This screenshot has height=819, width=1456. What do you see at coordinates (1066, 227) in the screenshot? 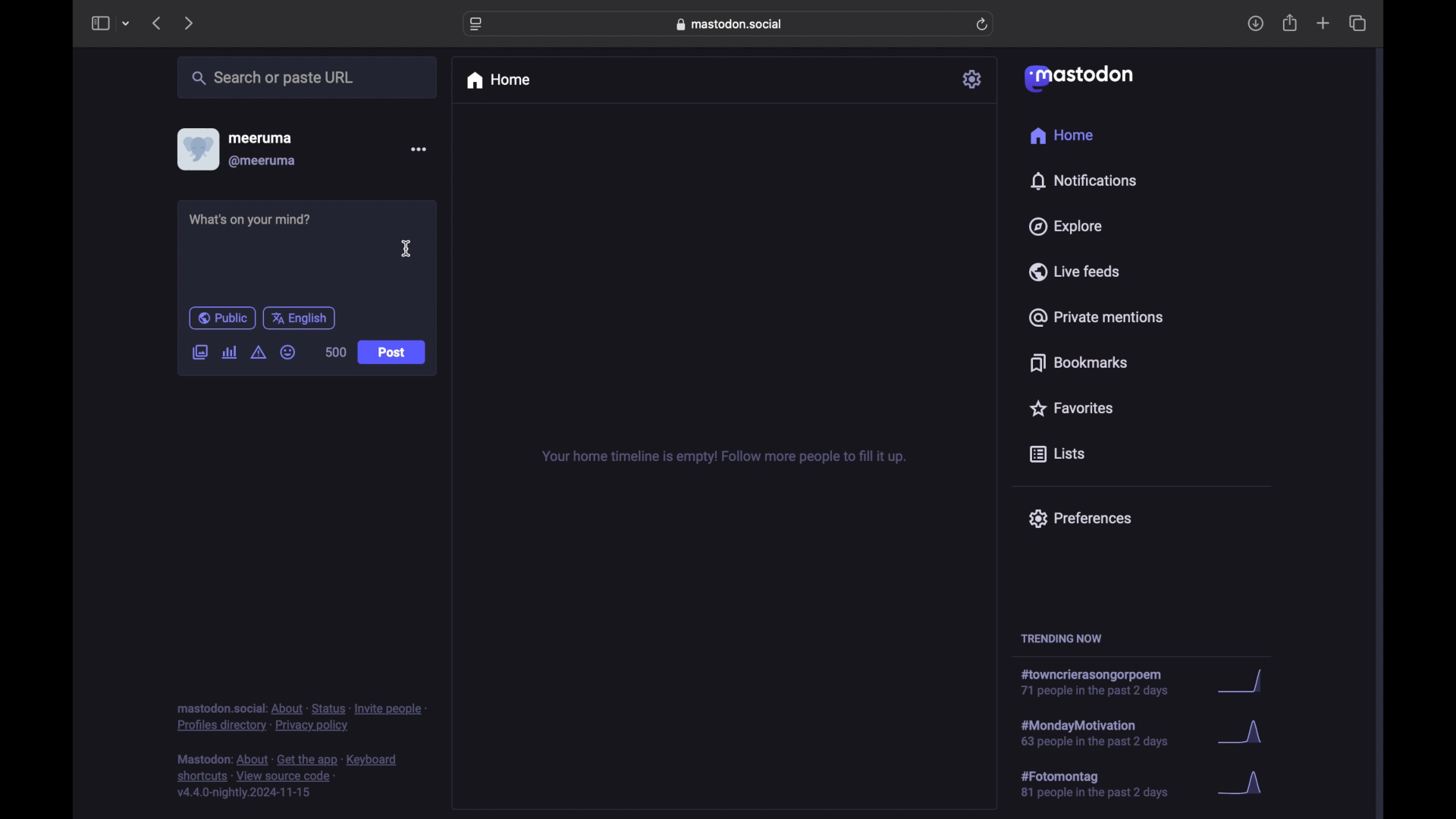
I see `explore` at bounding box center [1066, 227].